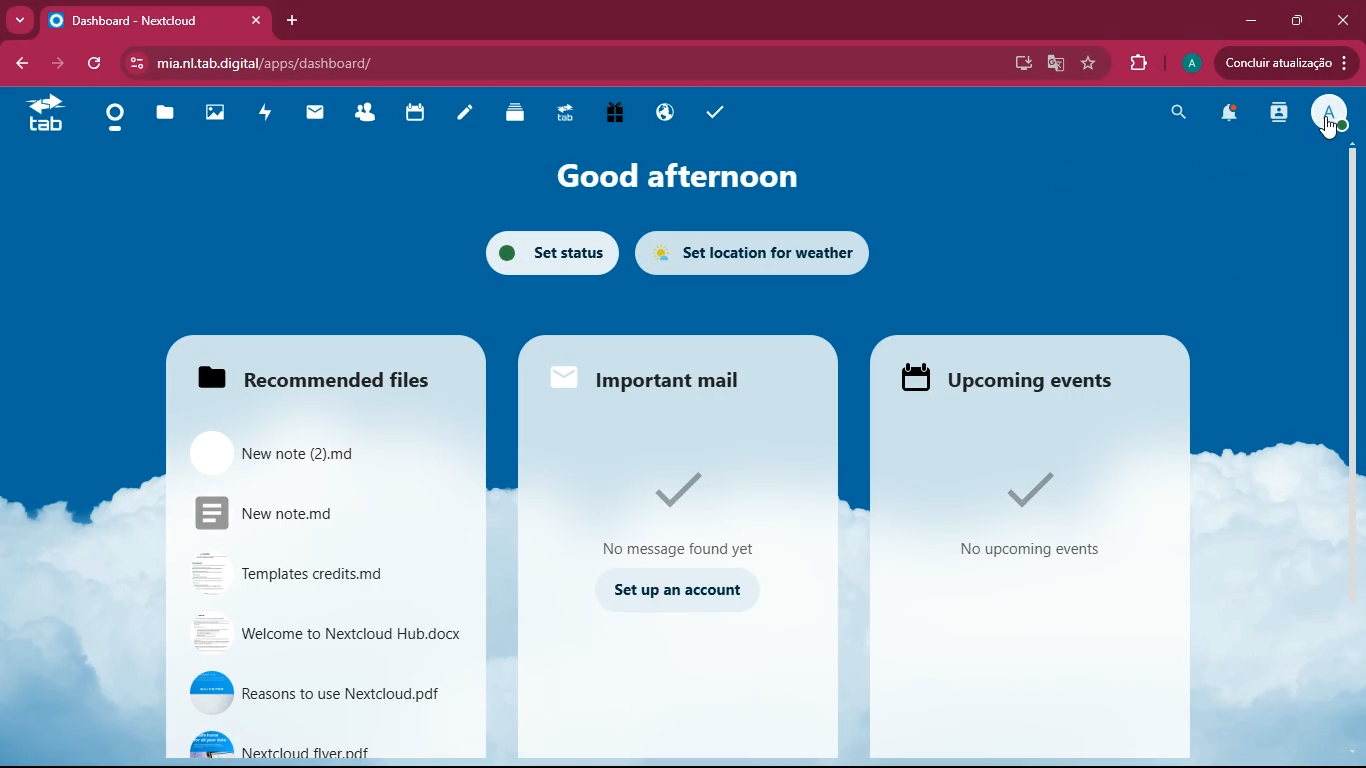  What do you see at coordinates (689, 511) in the screenshot?
I see `message` at bounding box center [689, 511].